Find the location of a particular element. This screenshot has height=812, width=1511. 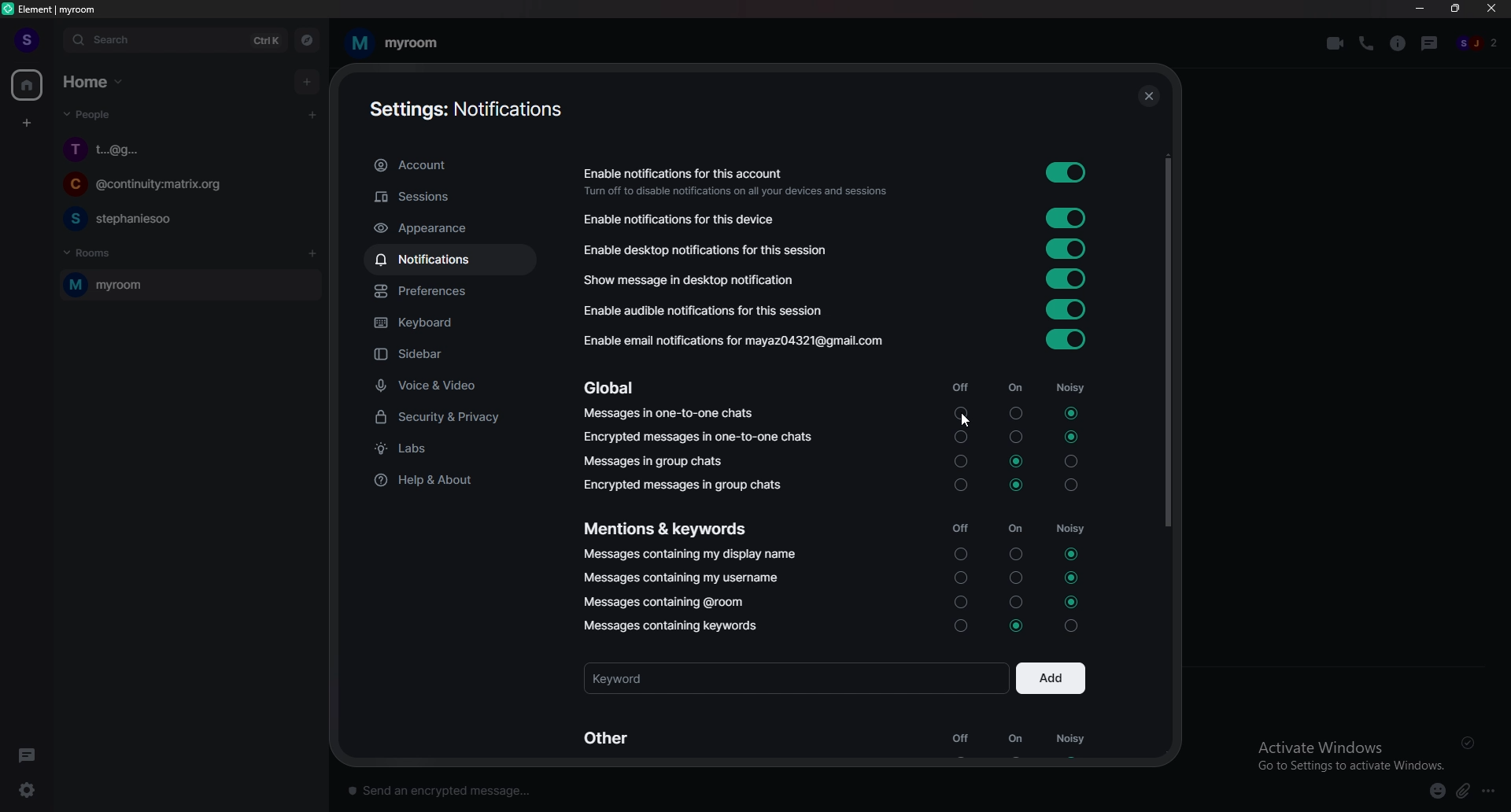

preference is located at coordinates (456, 291).